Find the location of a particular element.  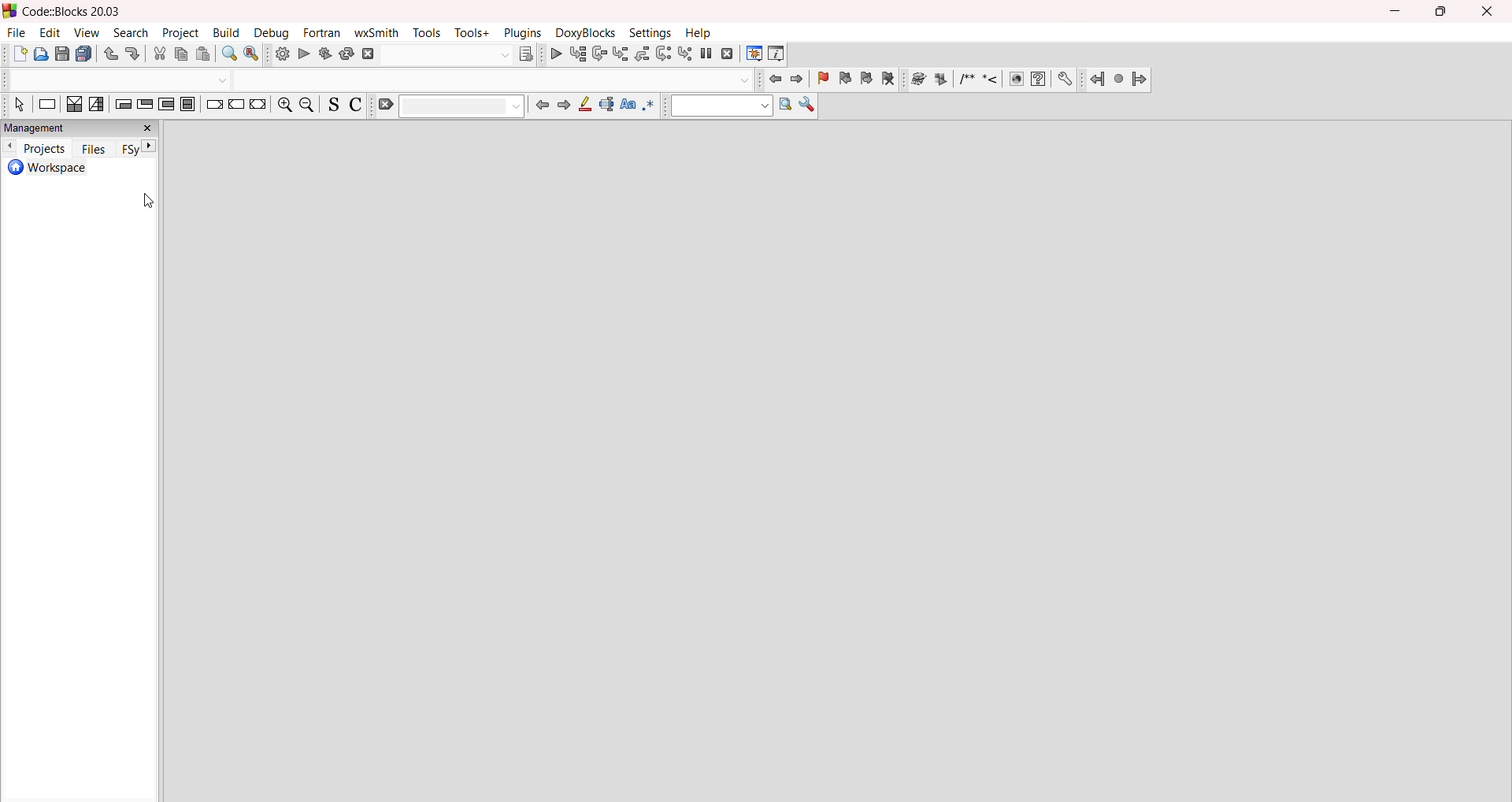

Last jump is located at coordinates (1118, 79).